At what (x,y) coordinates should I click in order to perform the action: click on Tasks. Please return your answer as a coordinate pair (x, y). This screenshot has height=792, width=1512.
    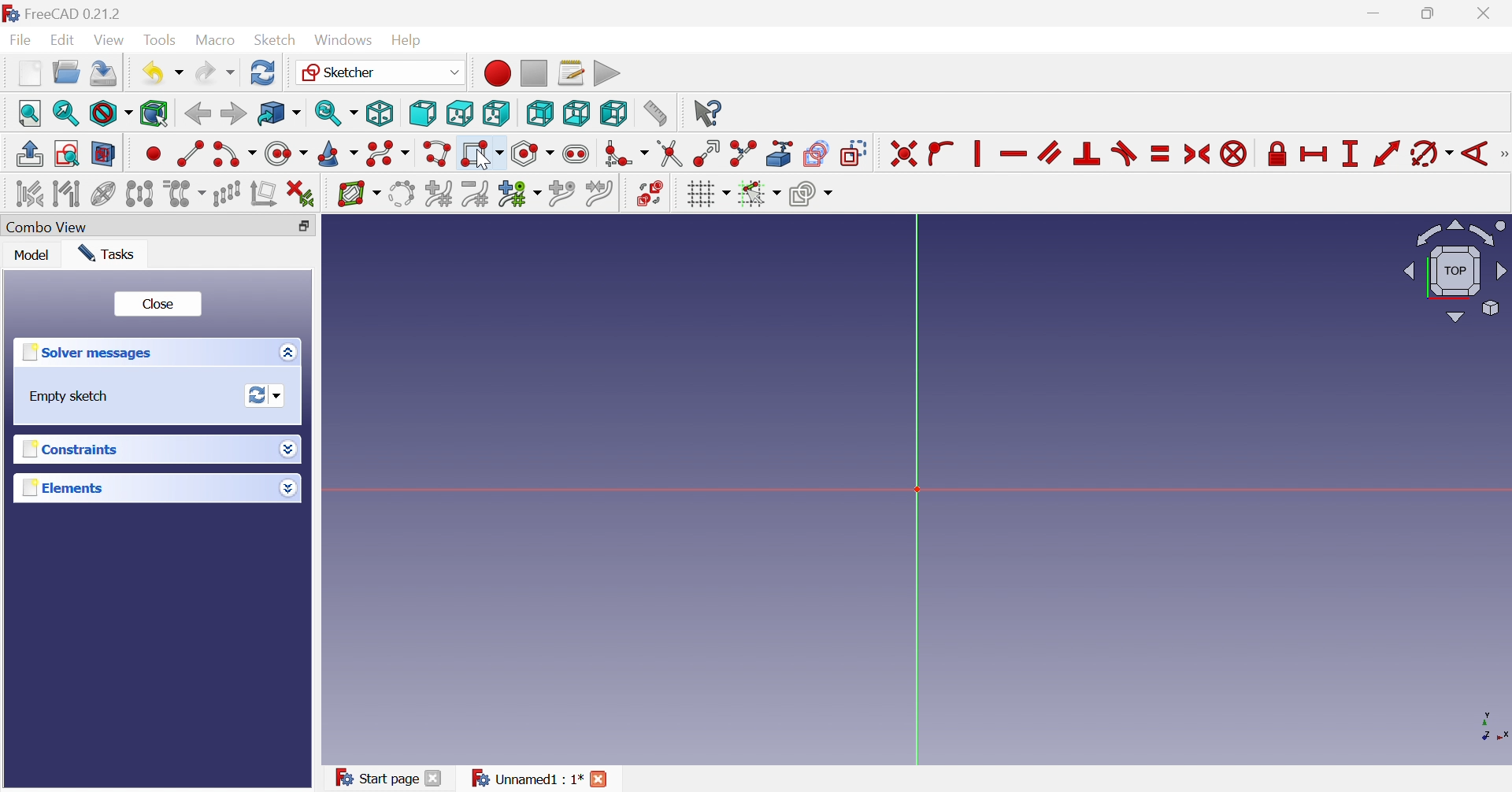
    Looking at the image, I should click on (108, 254).